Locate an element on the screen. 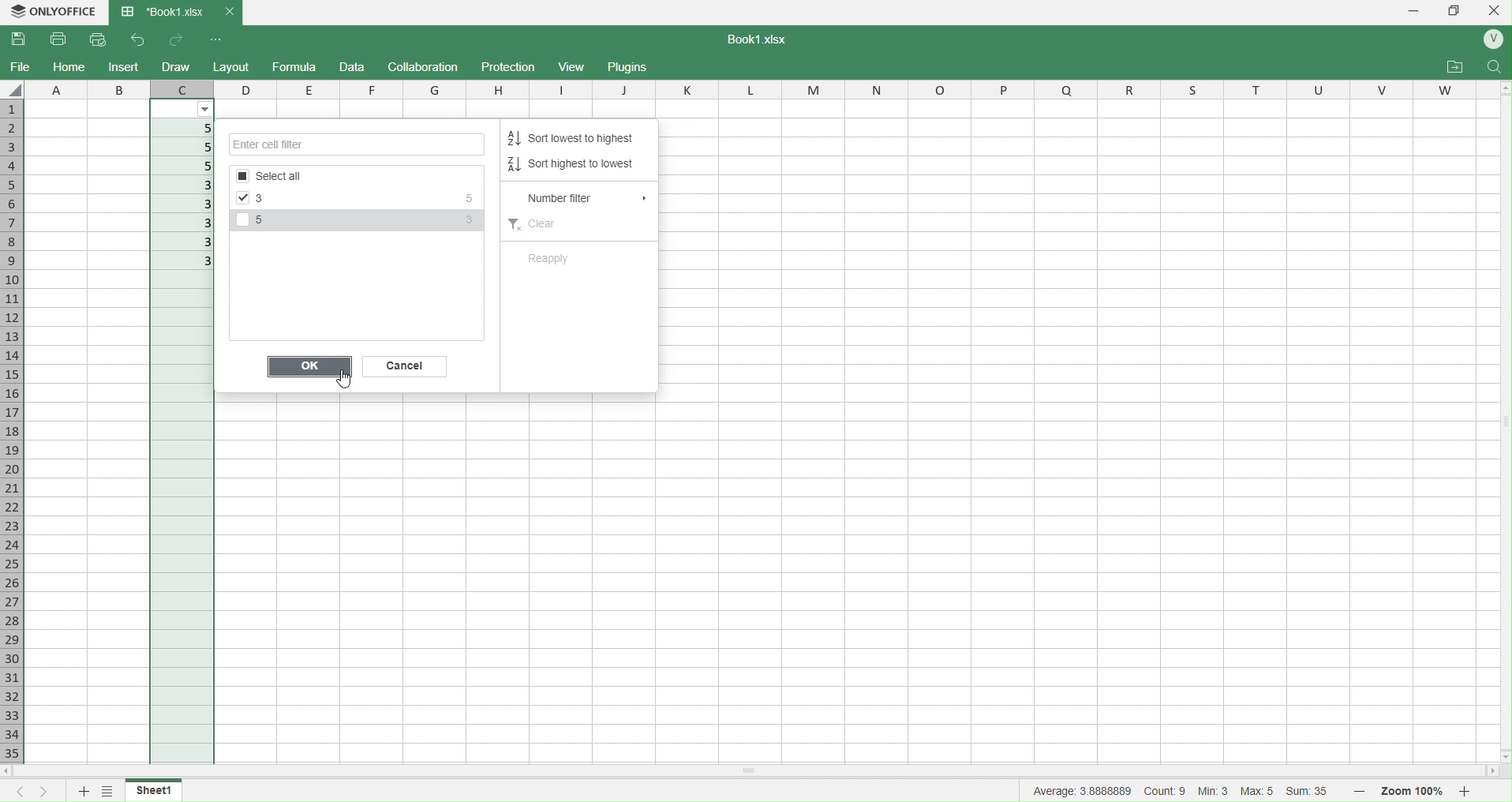 The image size is (1512, 802). Enter Cell Filter is located at coordinates (359, 145).